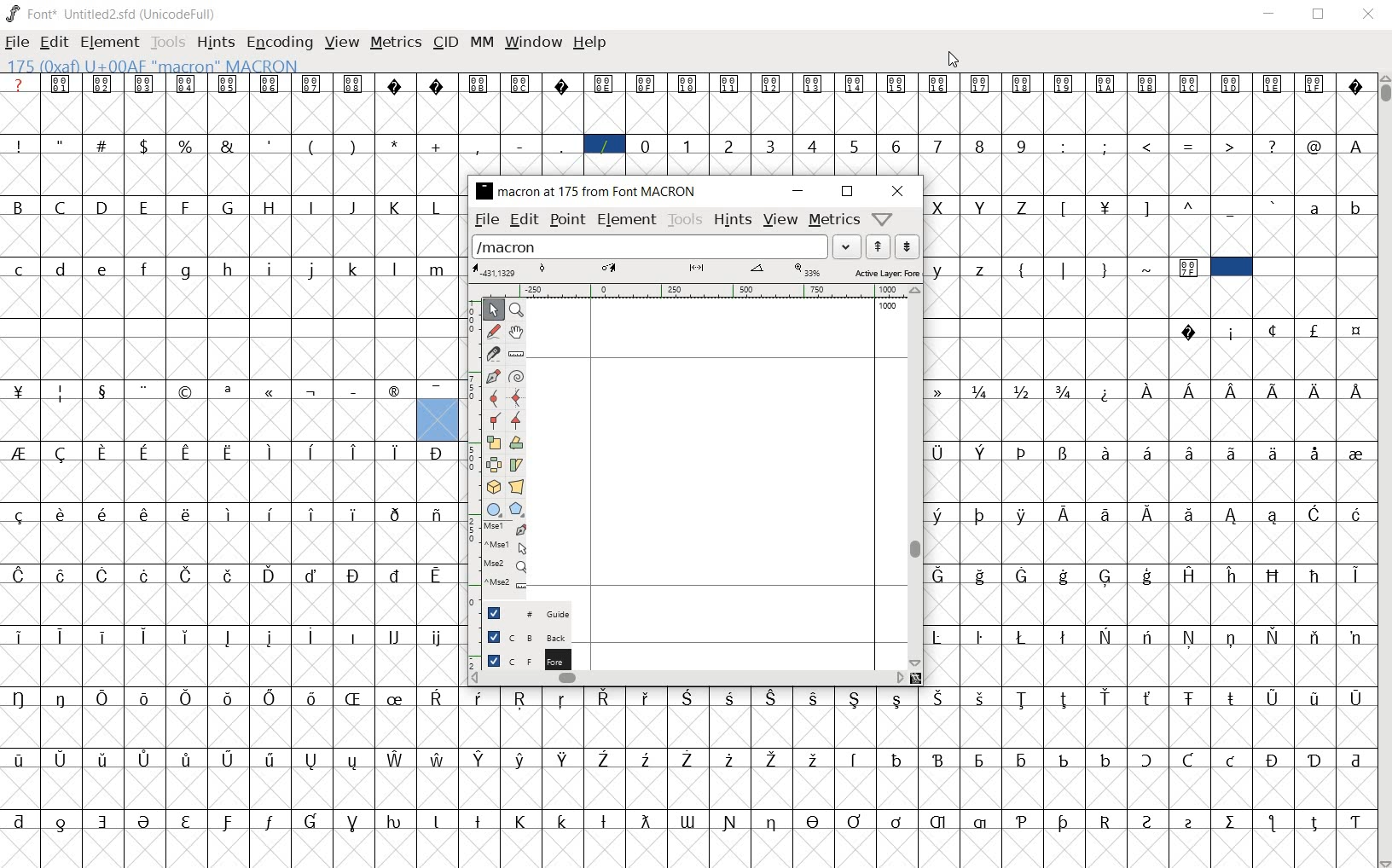 Image resolution: width=1392 pixels, height=868 pixels. What do you see at coordinates (470, 476) in the screenshot?
I see `ruler` at bounding box center [470, 476].